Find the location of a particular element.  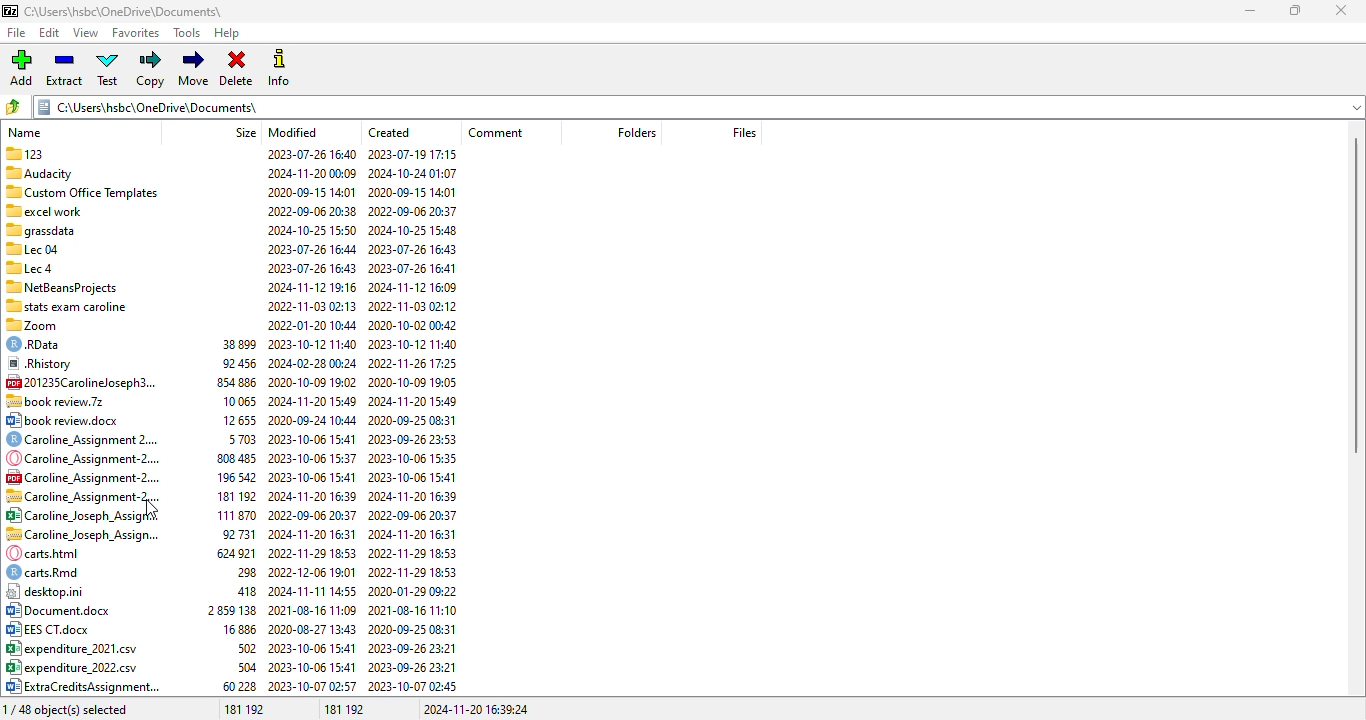

expenditure_2021.csv. 502 2023-10-06 15:41 2023-09-26 23:21 is located at coordinates (231, 649).